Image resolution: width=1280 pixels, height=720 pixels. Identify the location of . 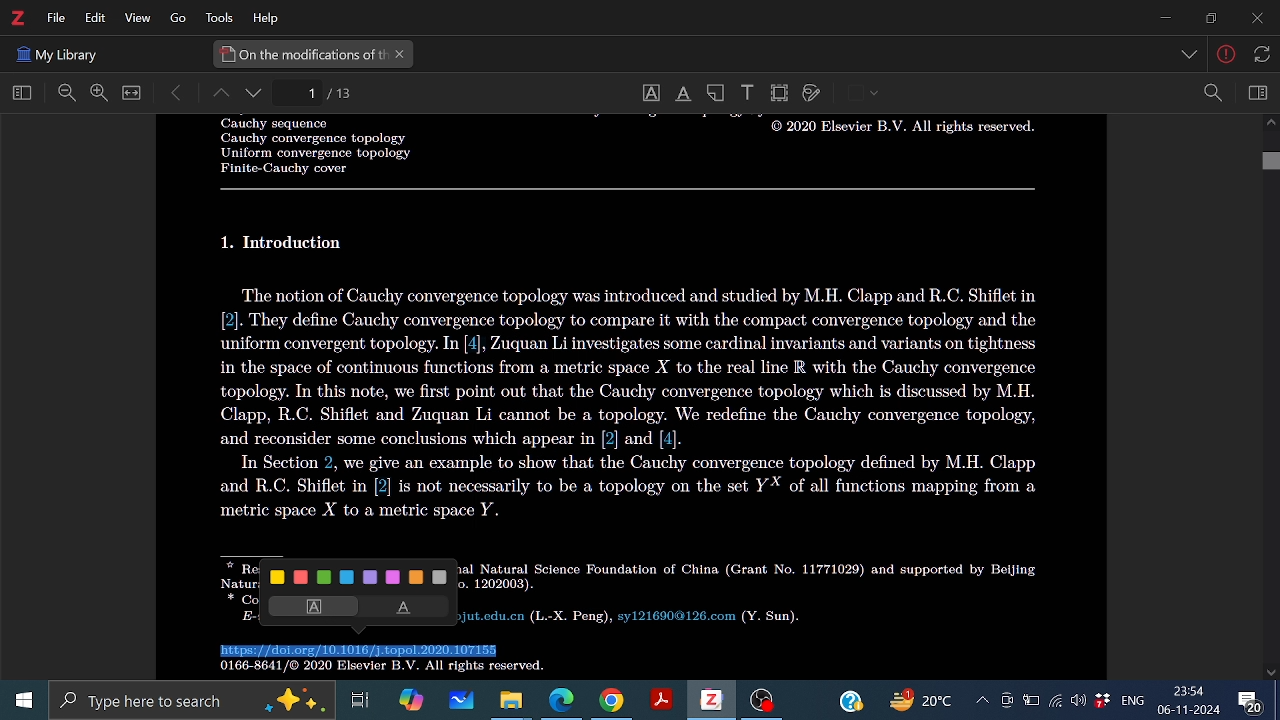
(172, 19).